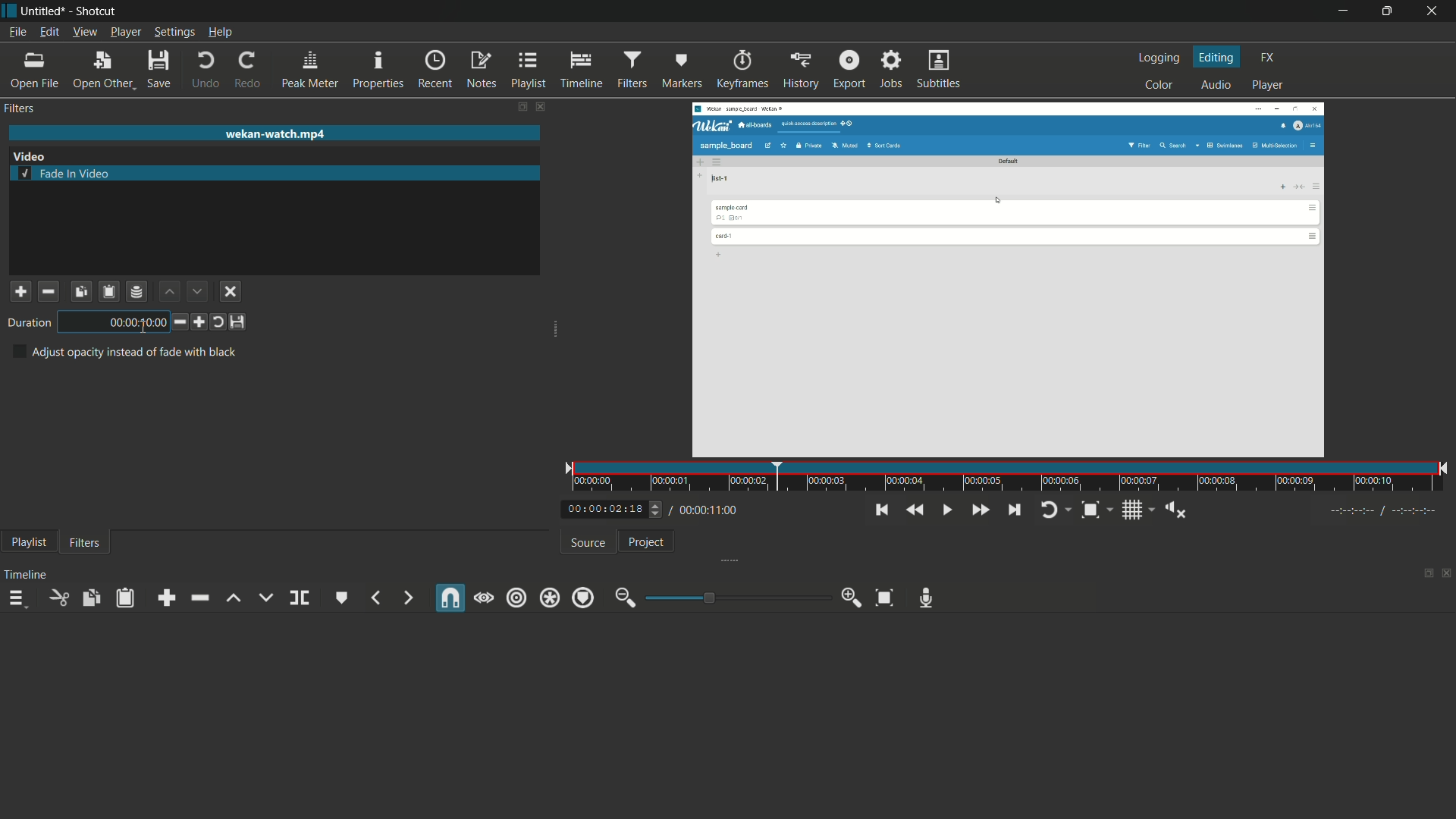 This screenshot has height=819, width=1456. What do you see at coordinates (1177, 511) in the screenshot?
I see `show volume control` at bounding box center [1177, 511].